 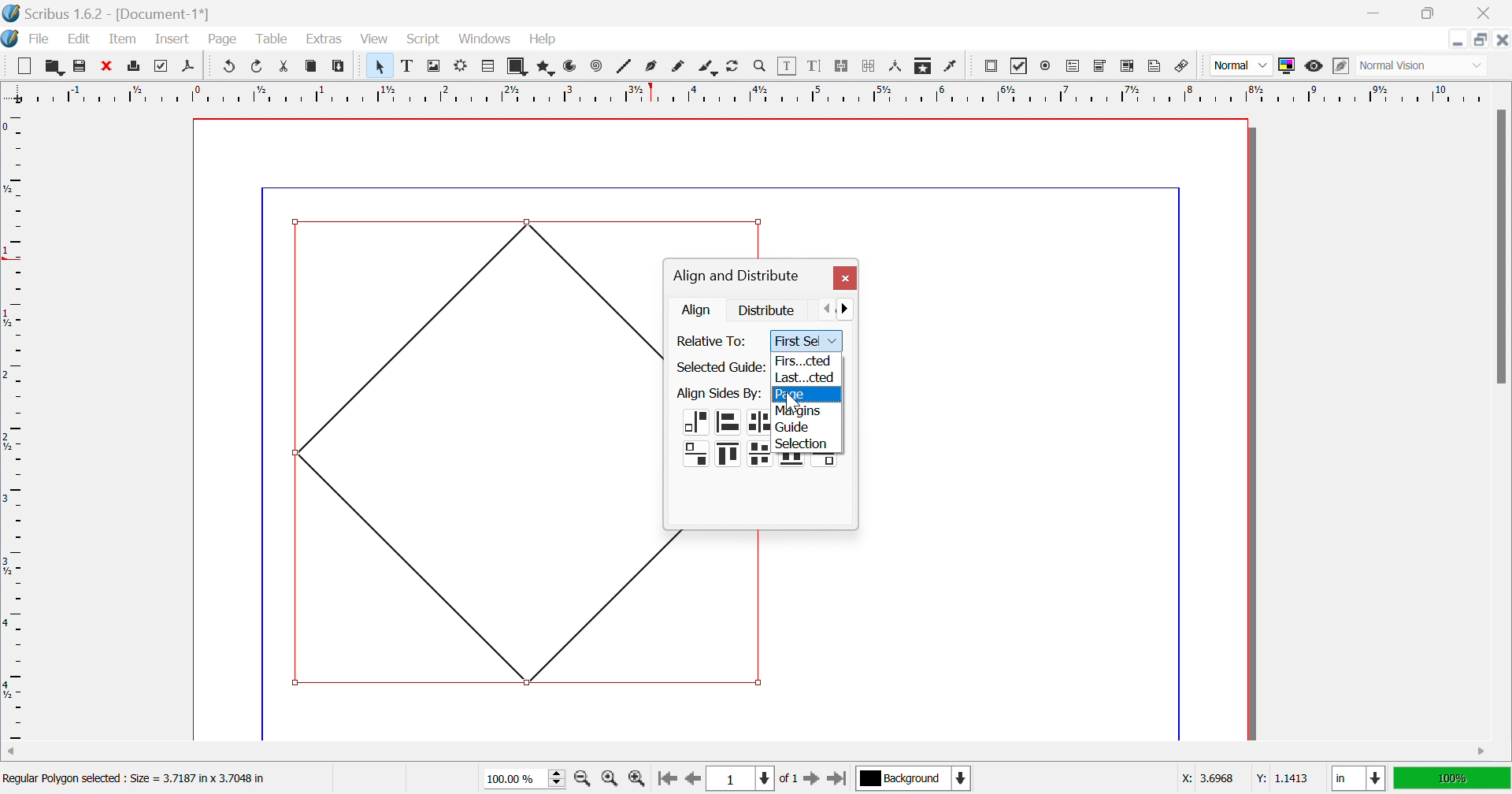 I want to click on Link Annotation, so click(x=1182, y=68).